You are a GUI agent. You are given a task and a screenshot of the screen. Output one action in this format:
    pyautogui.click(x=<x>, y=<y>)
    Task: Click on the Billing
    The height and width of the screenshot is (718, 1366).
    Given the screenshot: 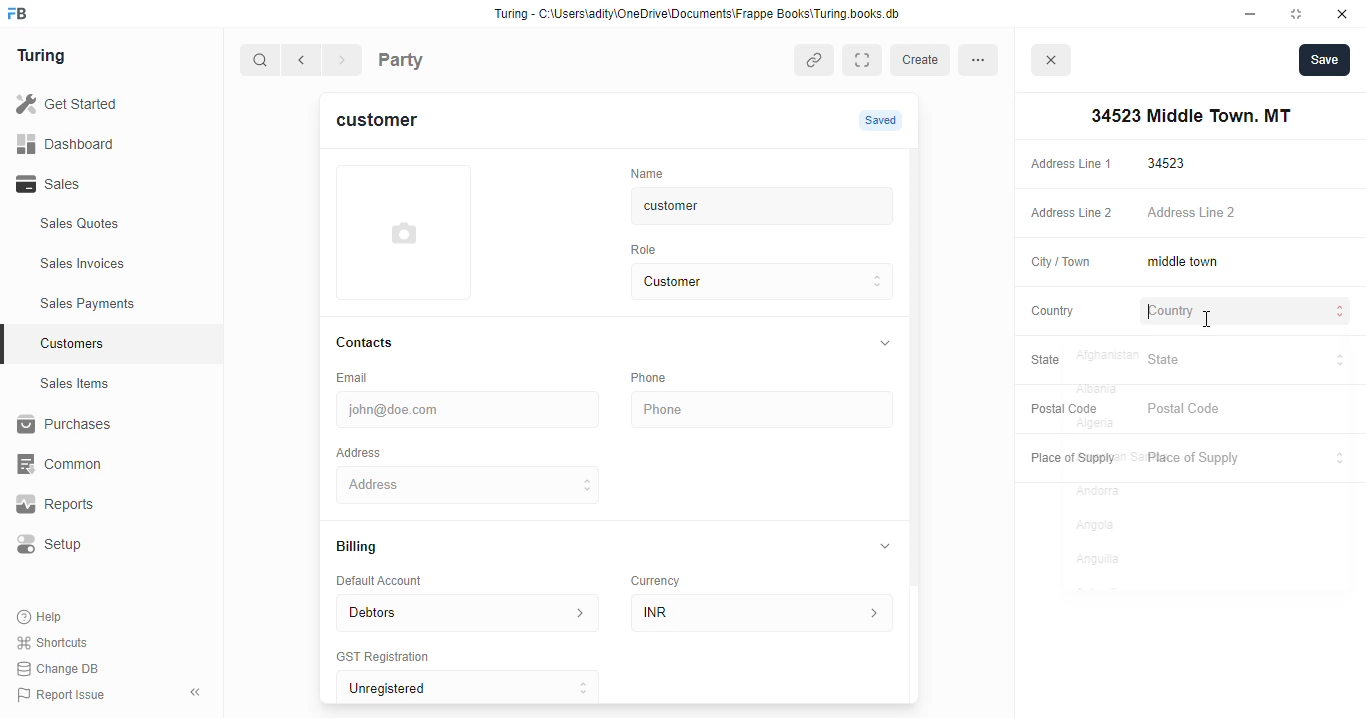 What is the action you would take?
    pyautogui.click(x=366, y=548)
    